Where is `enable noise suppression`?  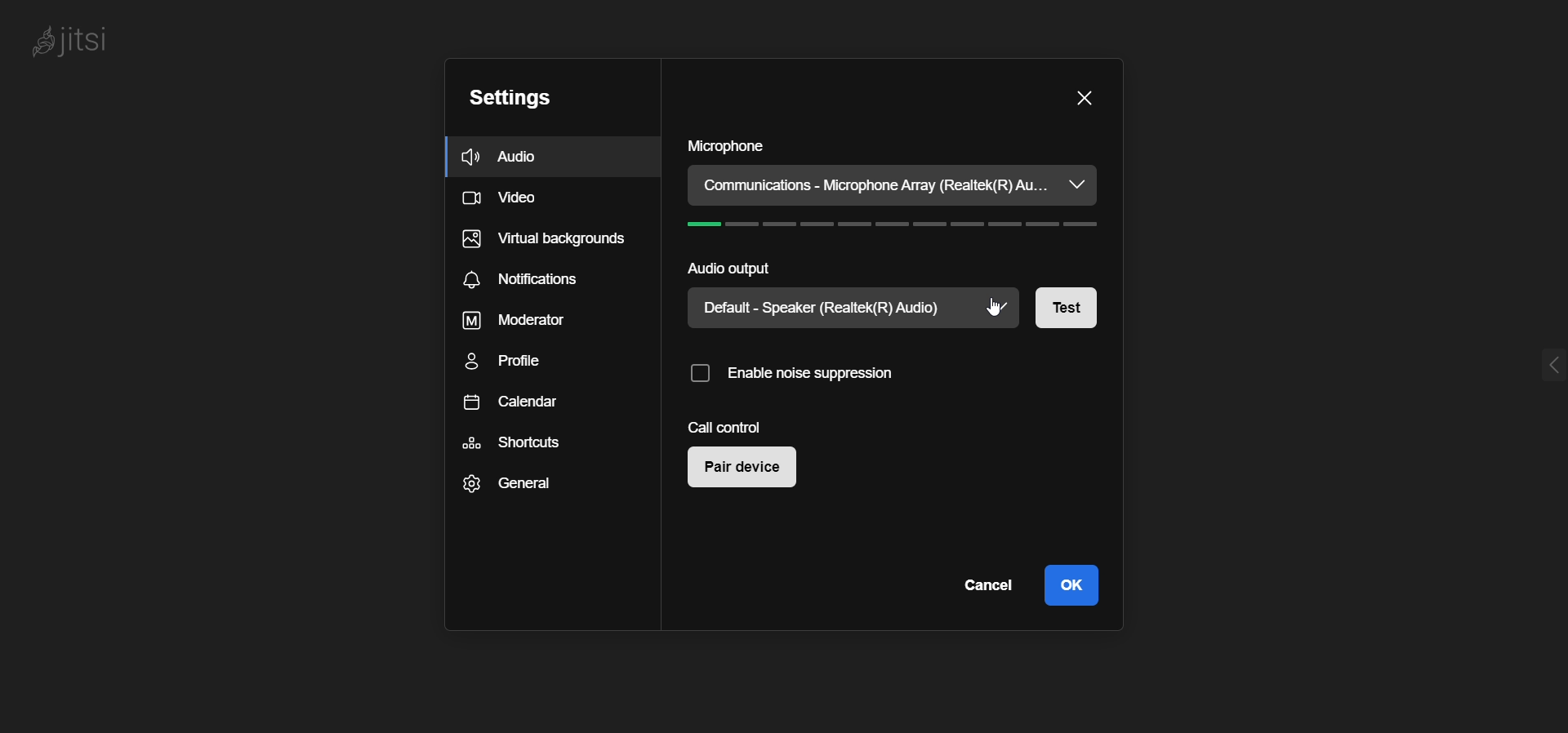
enable noise suppression is located at coordinates (798, 379).